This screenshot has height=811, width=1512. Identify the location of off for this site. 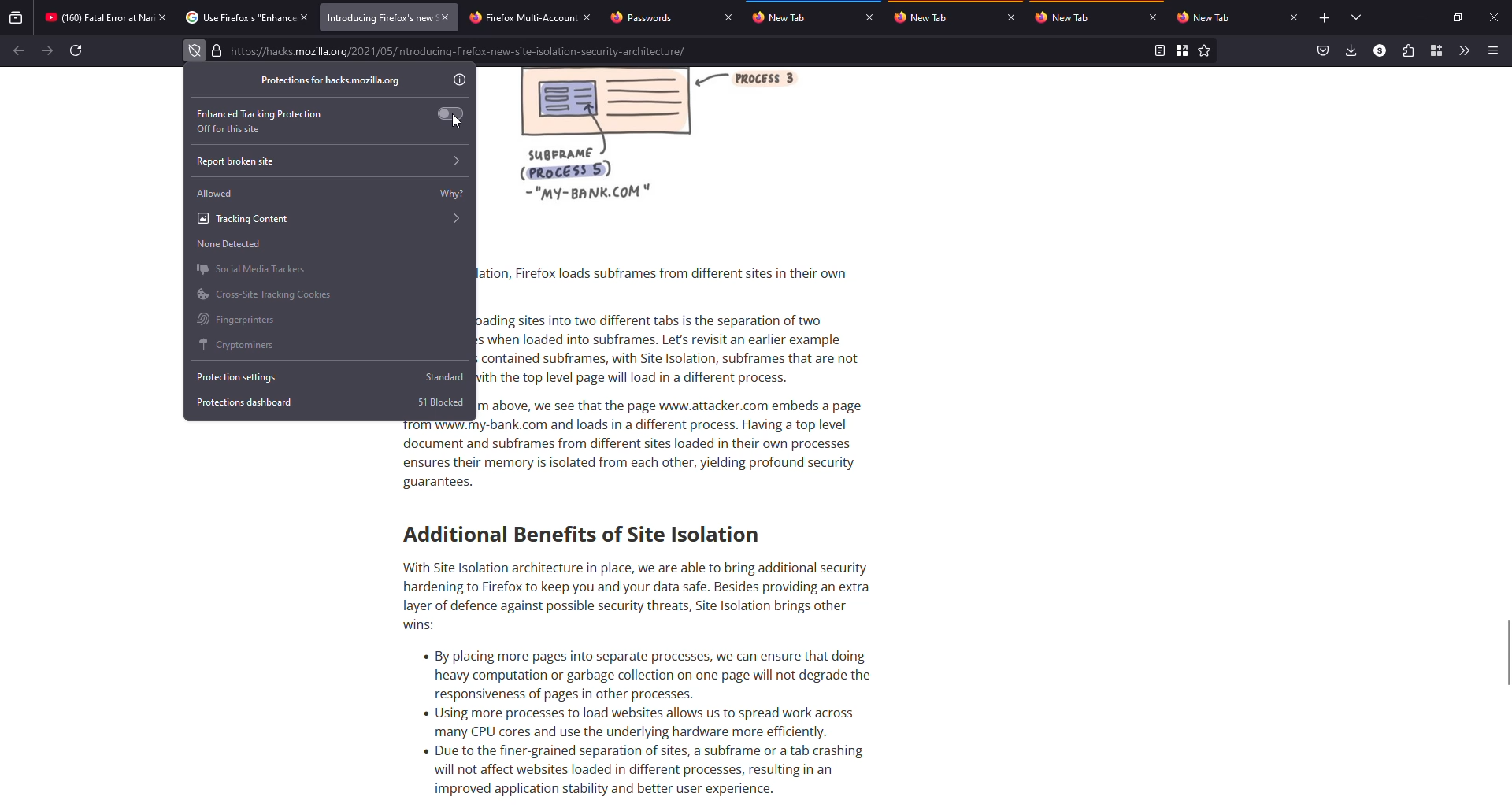
(230, 129).